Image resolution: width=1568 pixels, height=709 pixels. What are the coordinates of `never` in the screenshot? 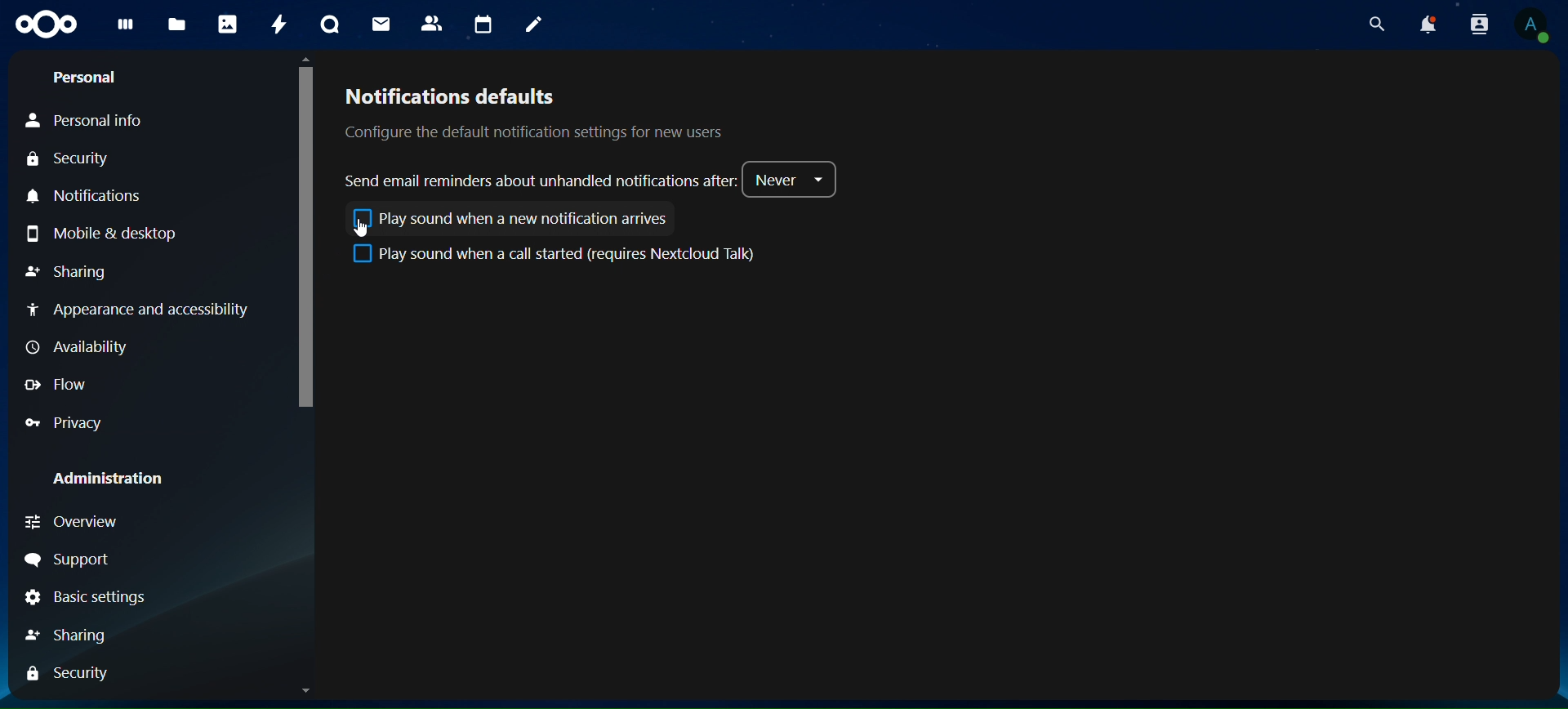 It's located at (793, 179).